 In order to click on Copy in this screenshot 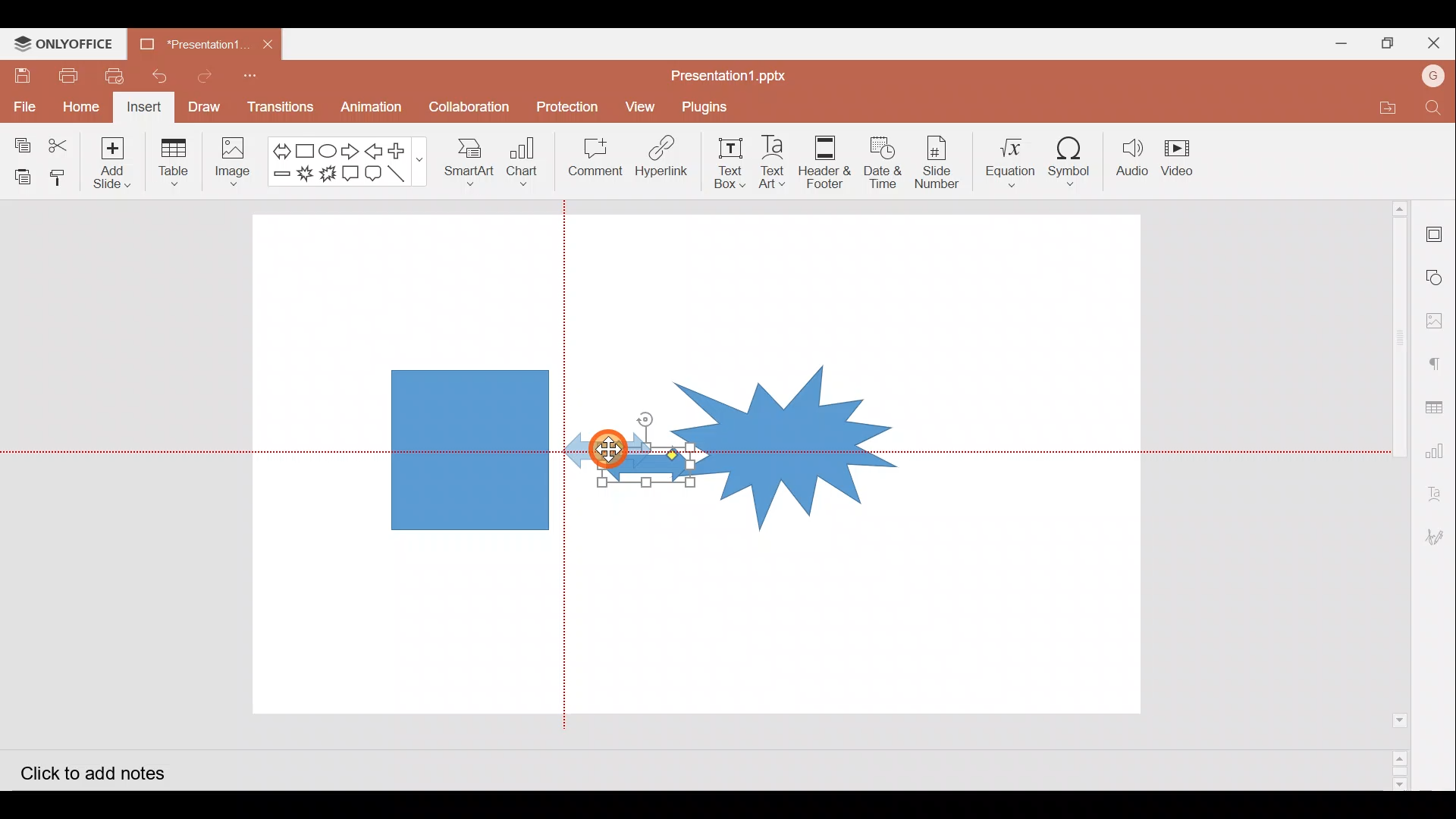, I will do `click(19, 140)`.